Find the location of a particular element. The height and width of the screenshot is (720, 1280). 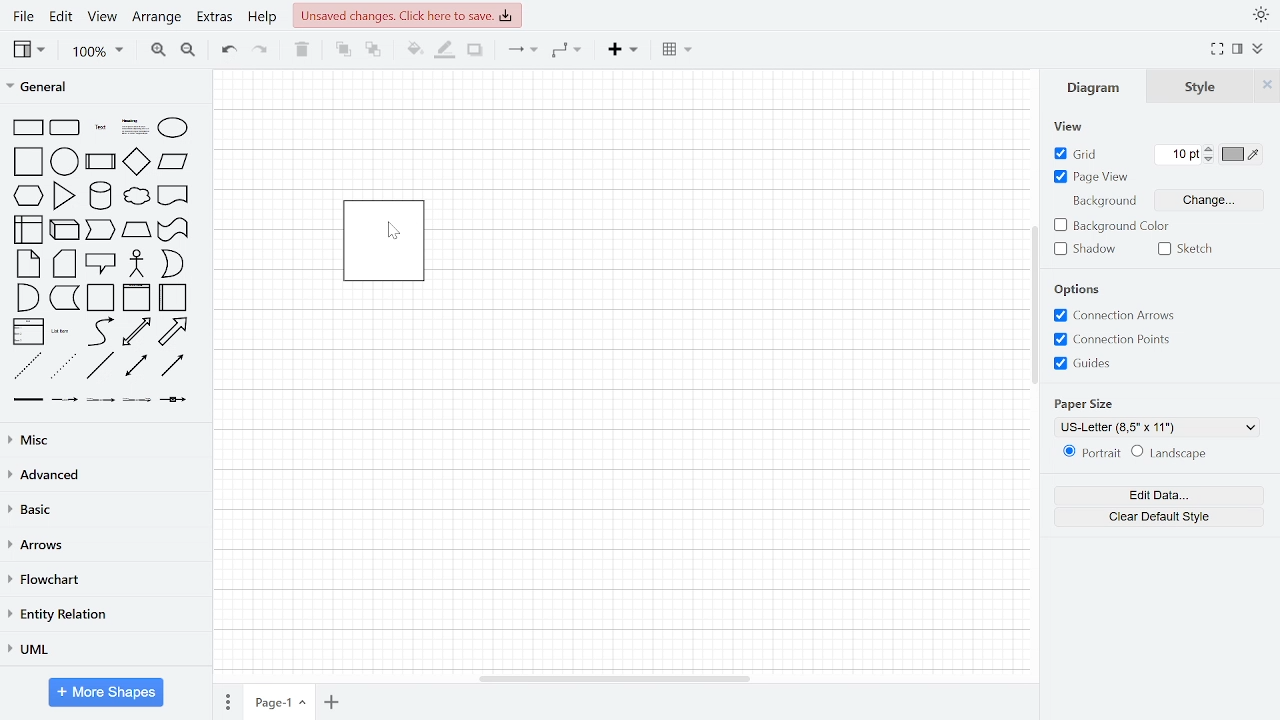

ellipse is located at coordinates (174, 127).